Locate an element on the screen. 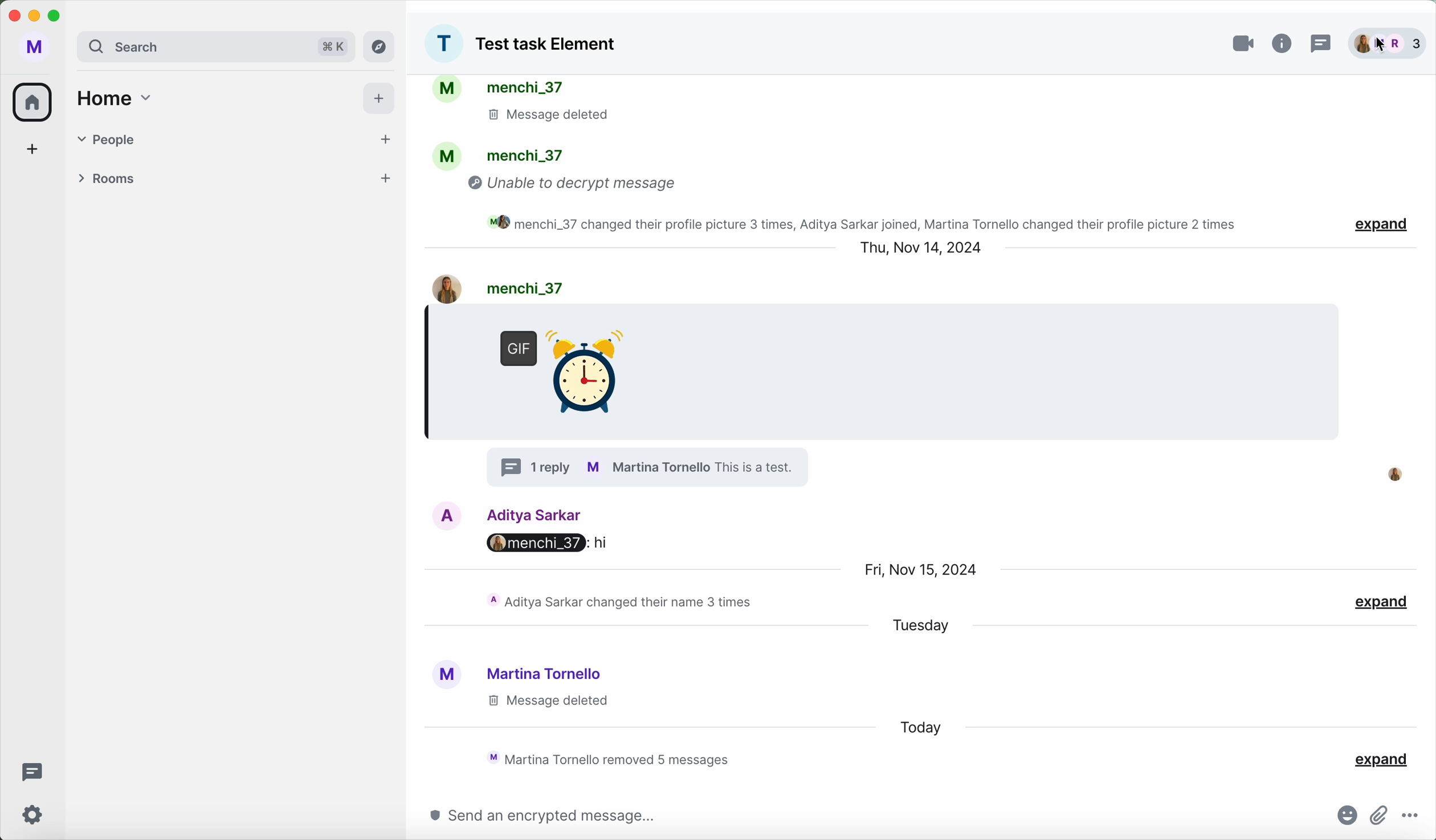 Image resolution: width=1436 pixels, height=840 pixels. add is located at coordinates (32, 148).